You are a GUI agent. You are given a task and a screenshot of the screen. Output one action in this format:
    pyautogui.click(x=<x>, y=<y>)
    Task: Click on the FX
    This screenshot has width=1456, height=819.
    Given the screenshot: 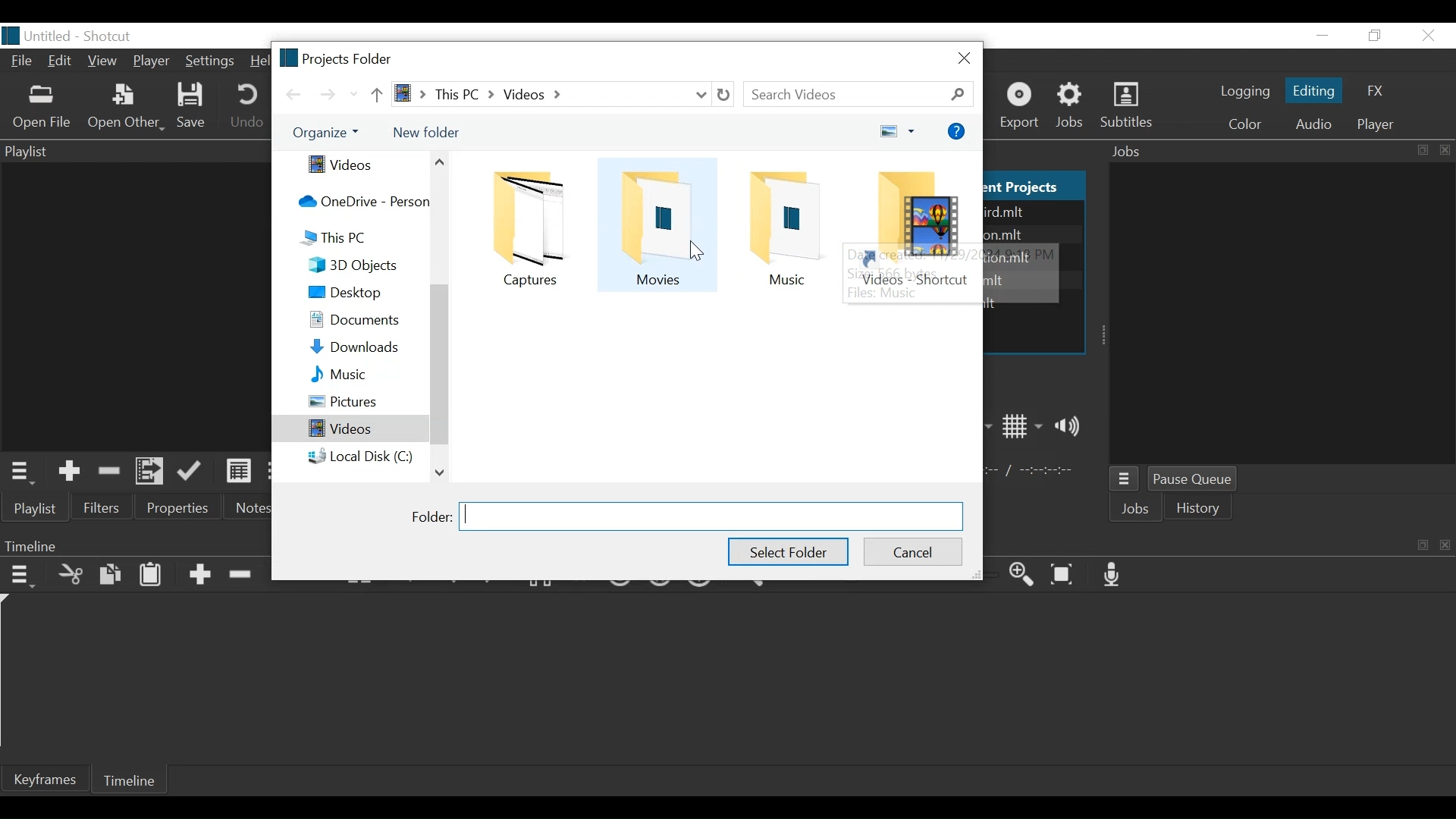 What is the action you would take?
    pyautogui.click(x=1376, y=92)
    